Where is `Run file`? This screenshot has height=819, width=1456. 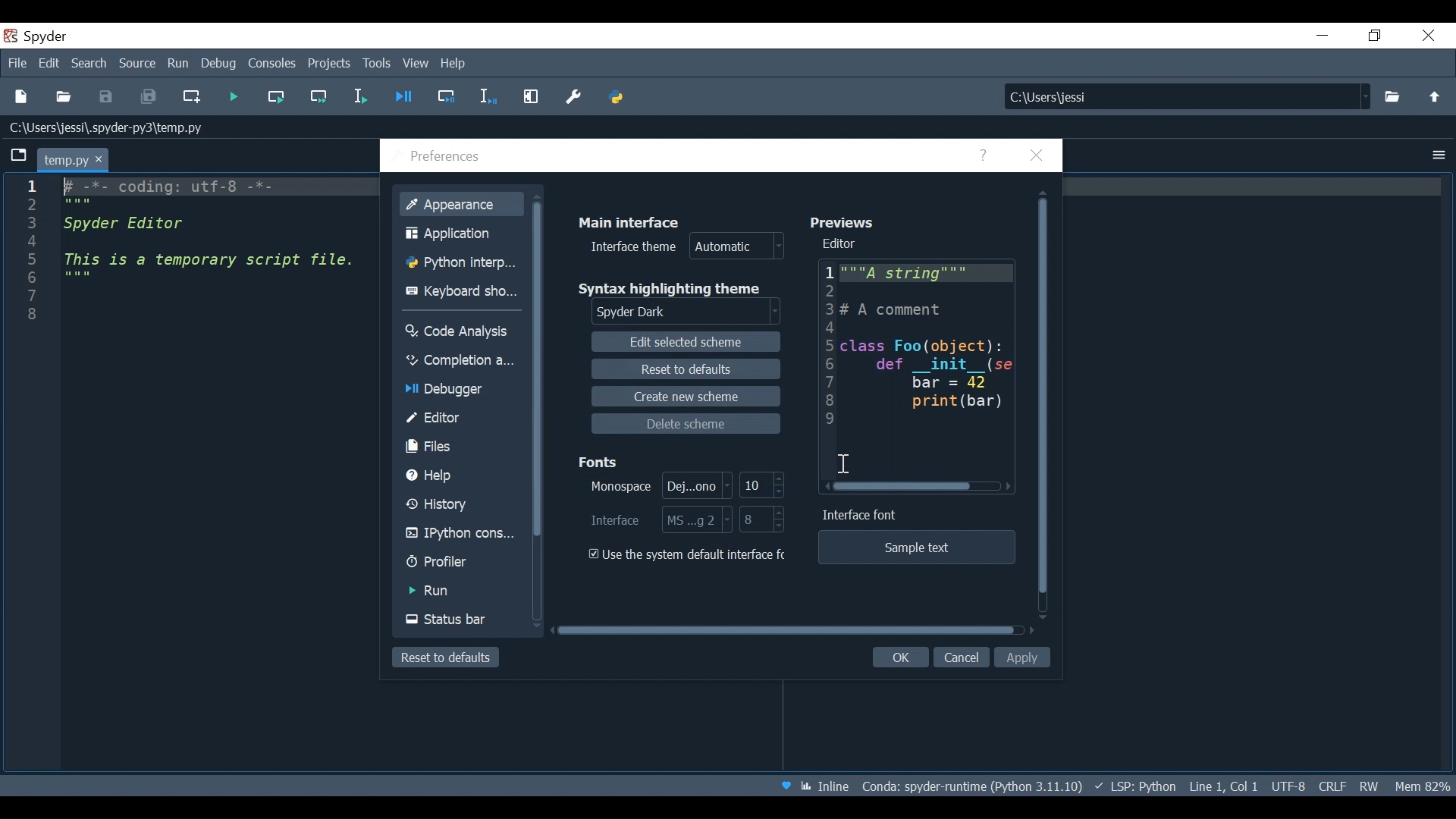
Run file is located at coordinates (231, 97).